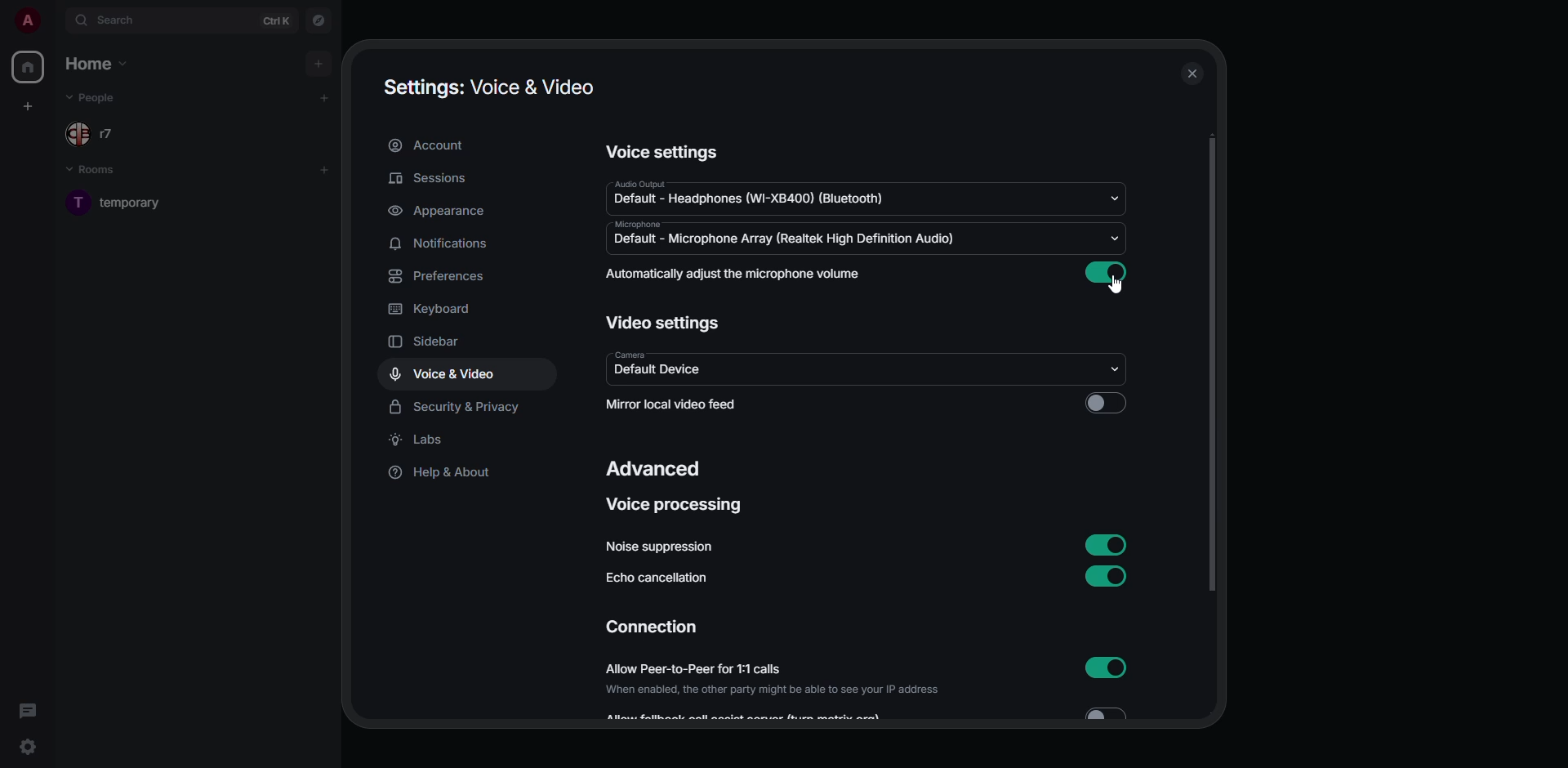  Describe the element at coordinates (670, 371) in the screenshot. I see `Default Device` at that location.